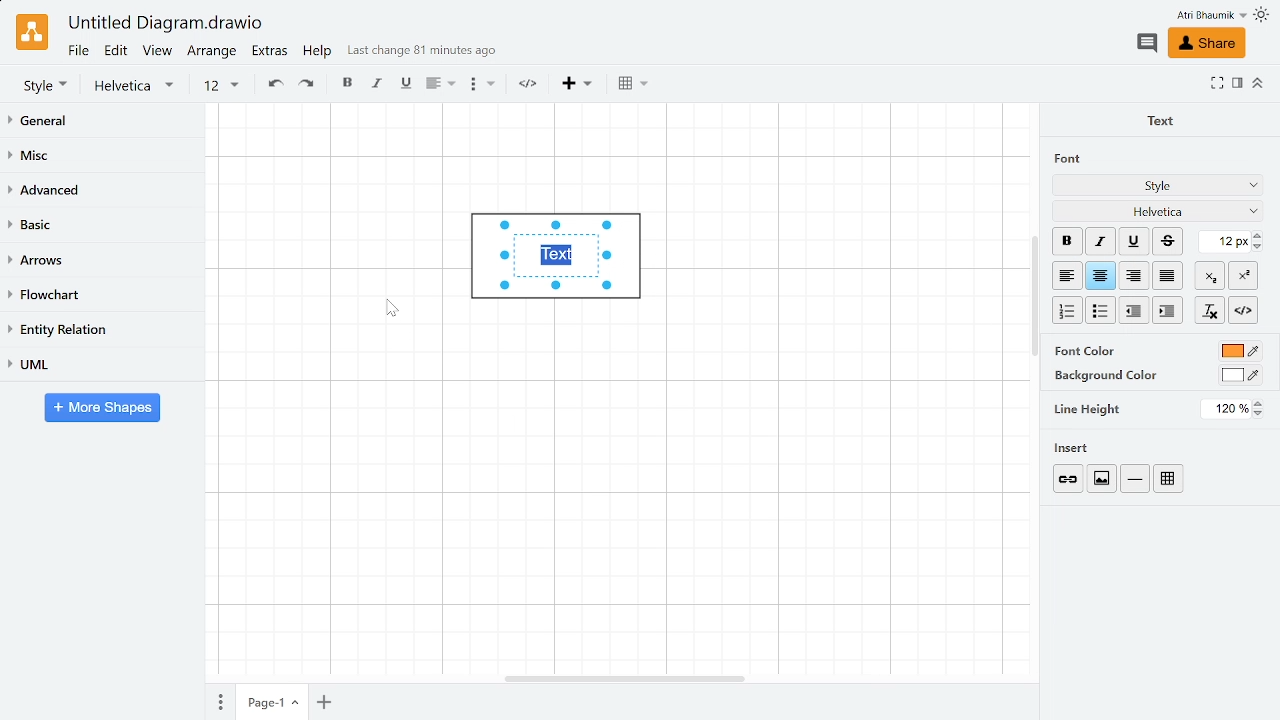 The width and height of the screenshot is (1280, 720). I want to click on Background color, so click(1241, 375).